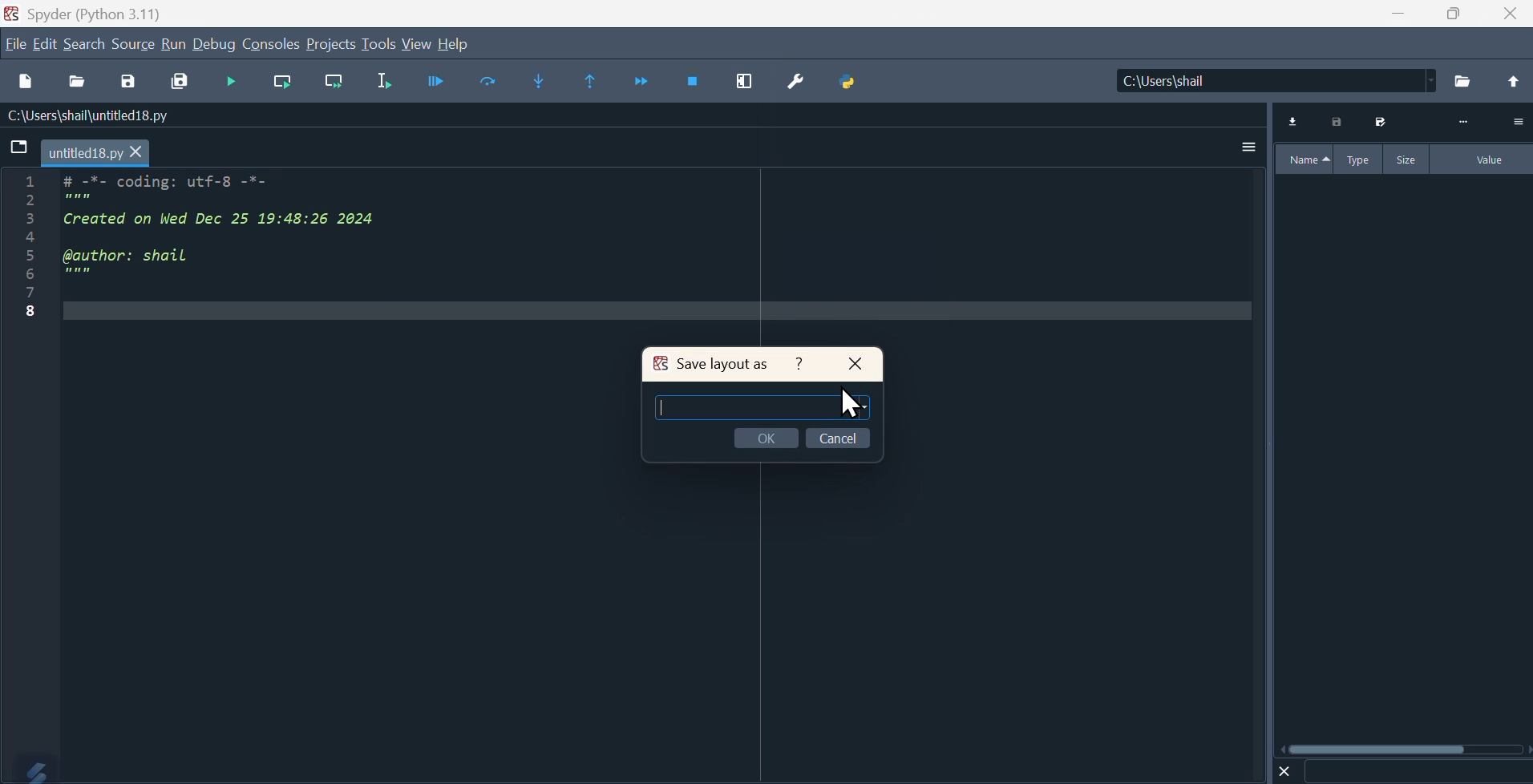 The width and height of the screenshot is (1533, 784). Describe the element at coordinates (762, 407) in the screenshot. I see `Typing area` at that location.